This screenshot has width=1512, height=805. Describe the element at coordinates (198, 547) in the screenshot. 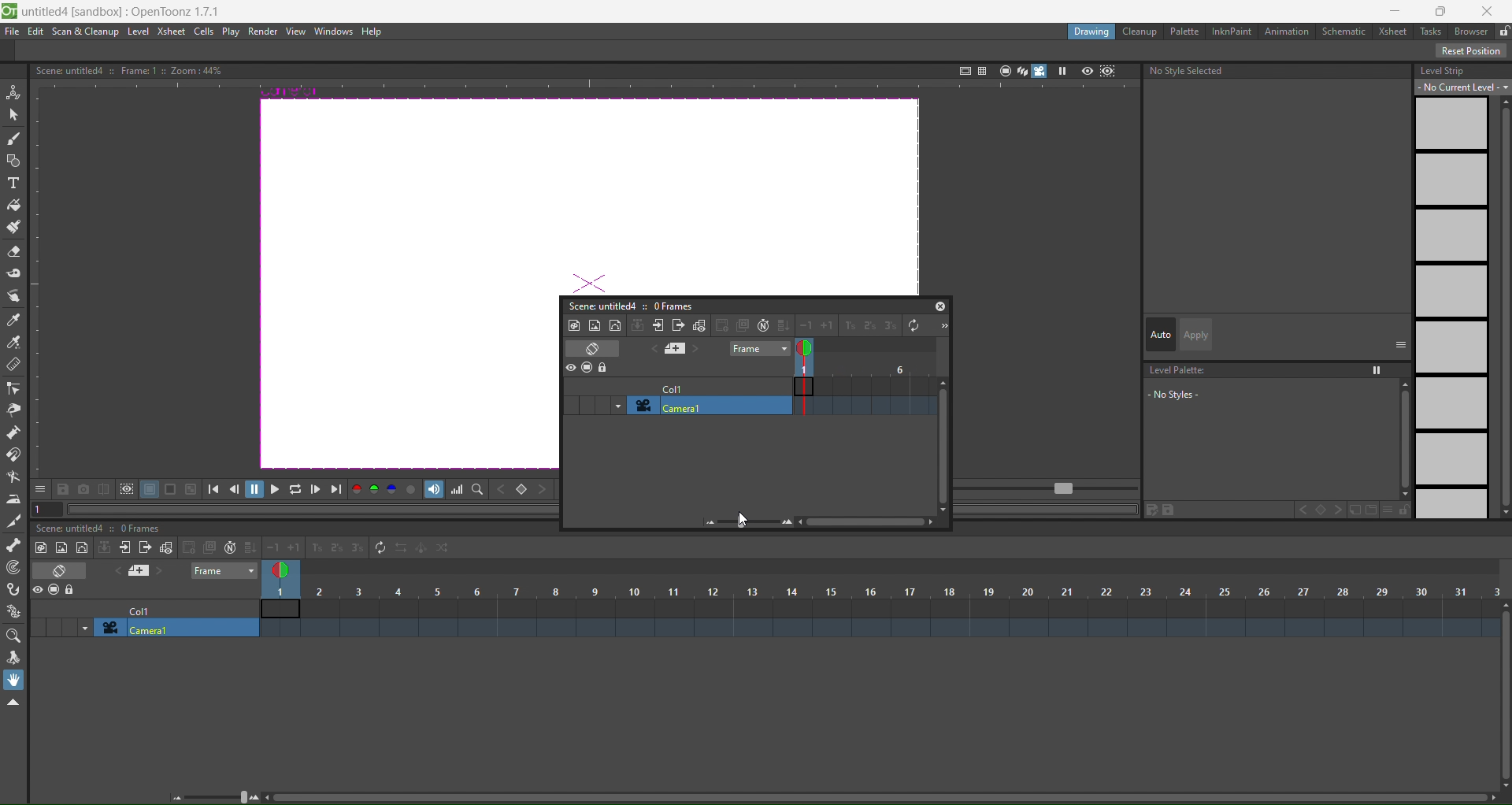

I see `create blank drawing` at that location.